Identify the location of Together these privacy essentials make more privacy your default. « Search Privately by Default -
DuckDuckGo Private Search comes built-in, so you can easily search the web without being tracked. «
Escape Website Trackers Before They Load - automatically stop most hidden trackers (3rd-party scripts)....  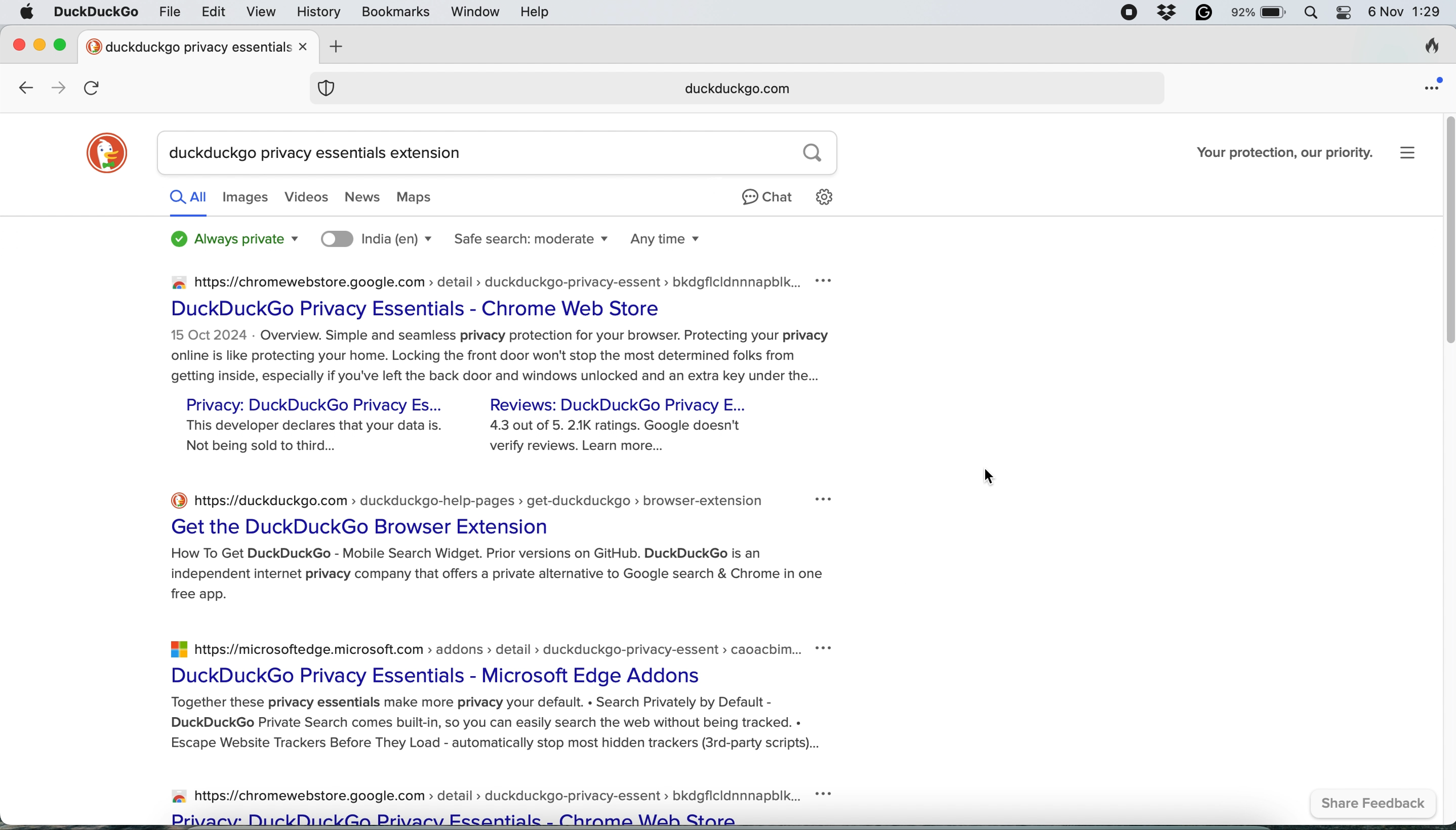
(503, 728).